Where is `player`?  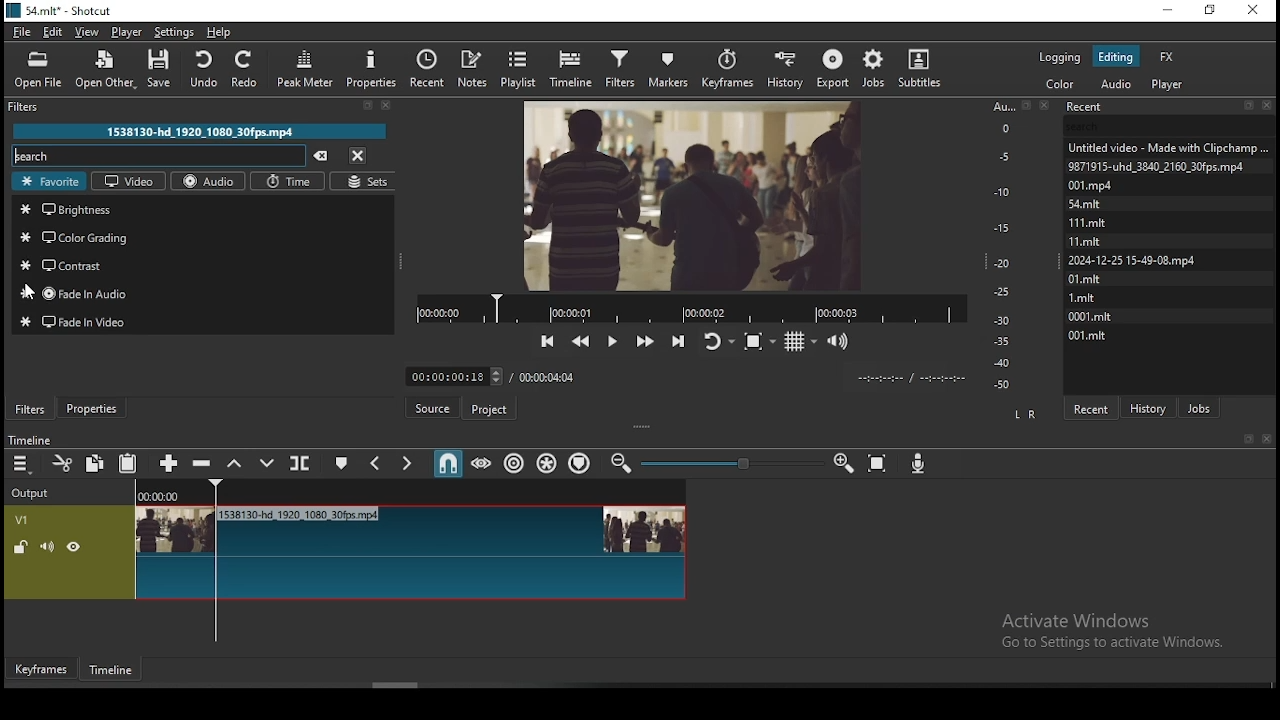
player is located at coordinates (125, 33).